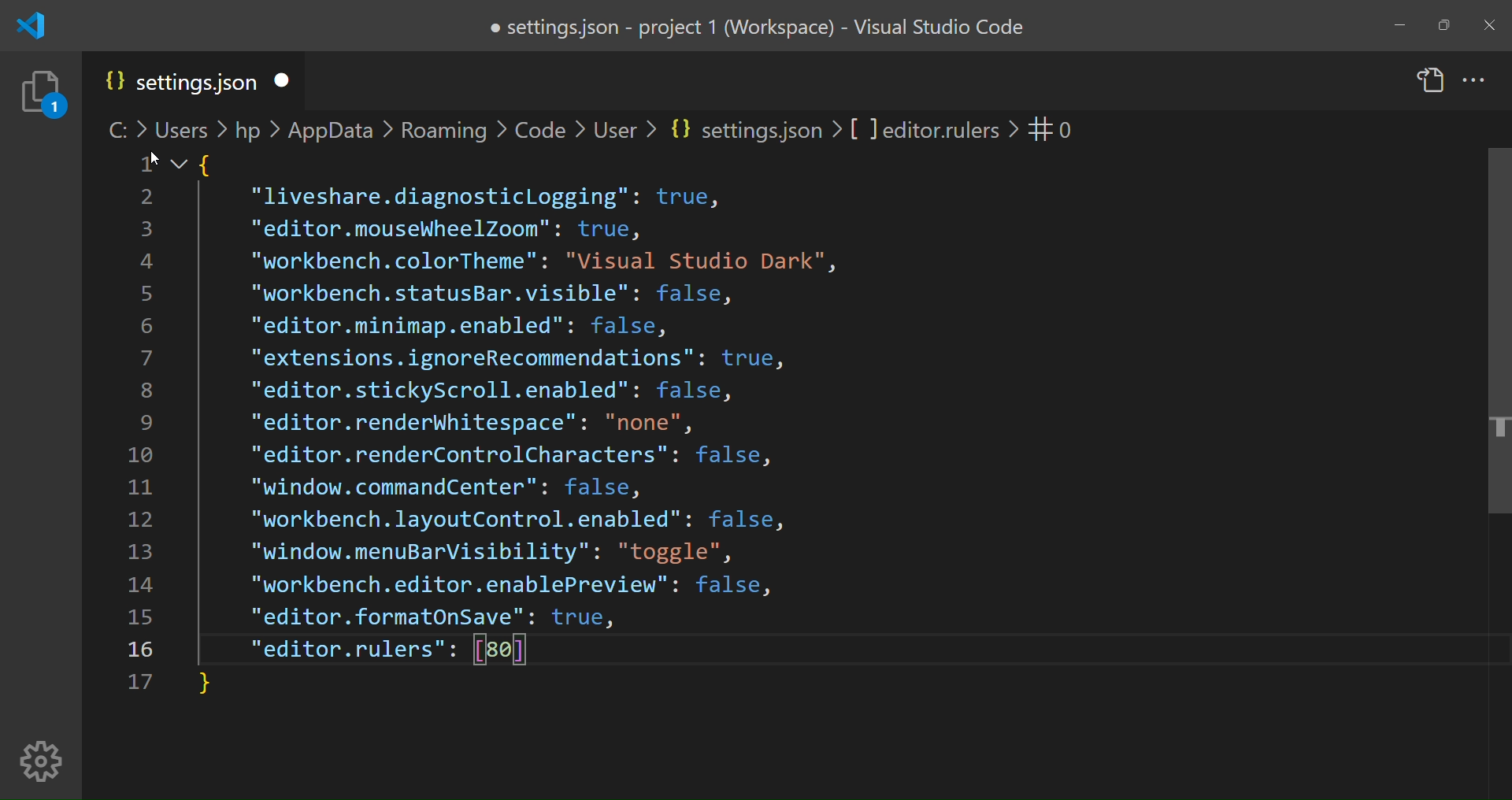 Image resolution: width=1512 pixels, height=800 pixels. What do you see at coordinates (145, 435) in the screenshot?
I see `line number` at bounding box center [145, 435].